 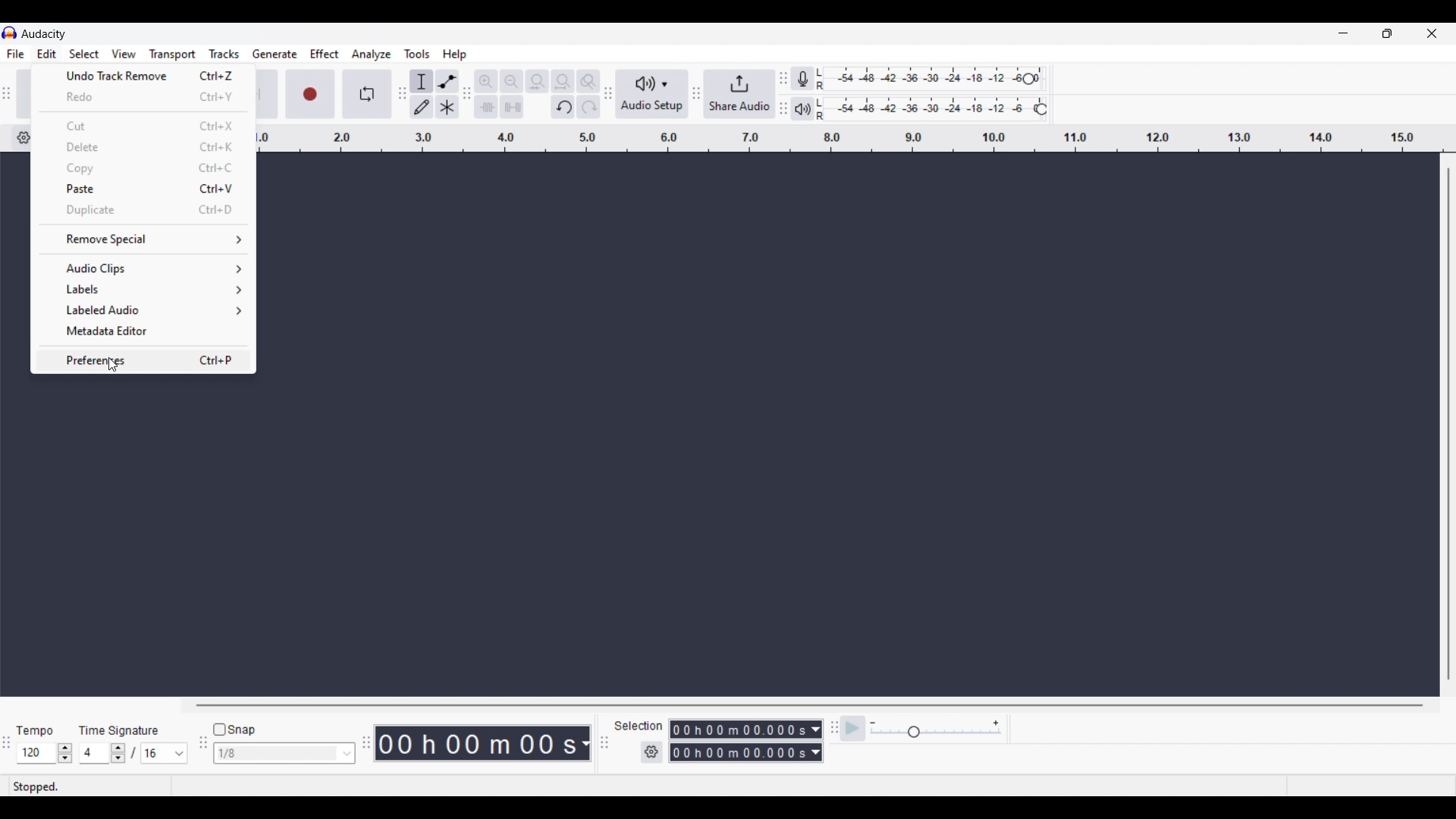 I want to click on Remove special options , so click(x=144, y=239).